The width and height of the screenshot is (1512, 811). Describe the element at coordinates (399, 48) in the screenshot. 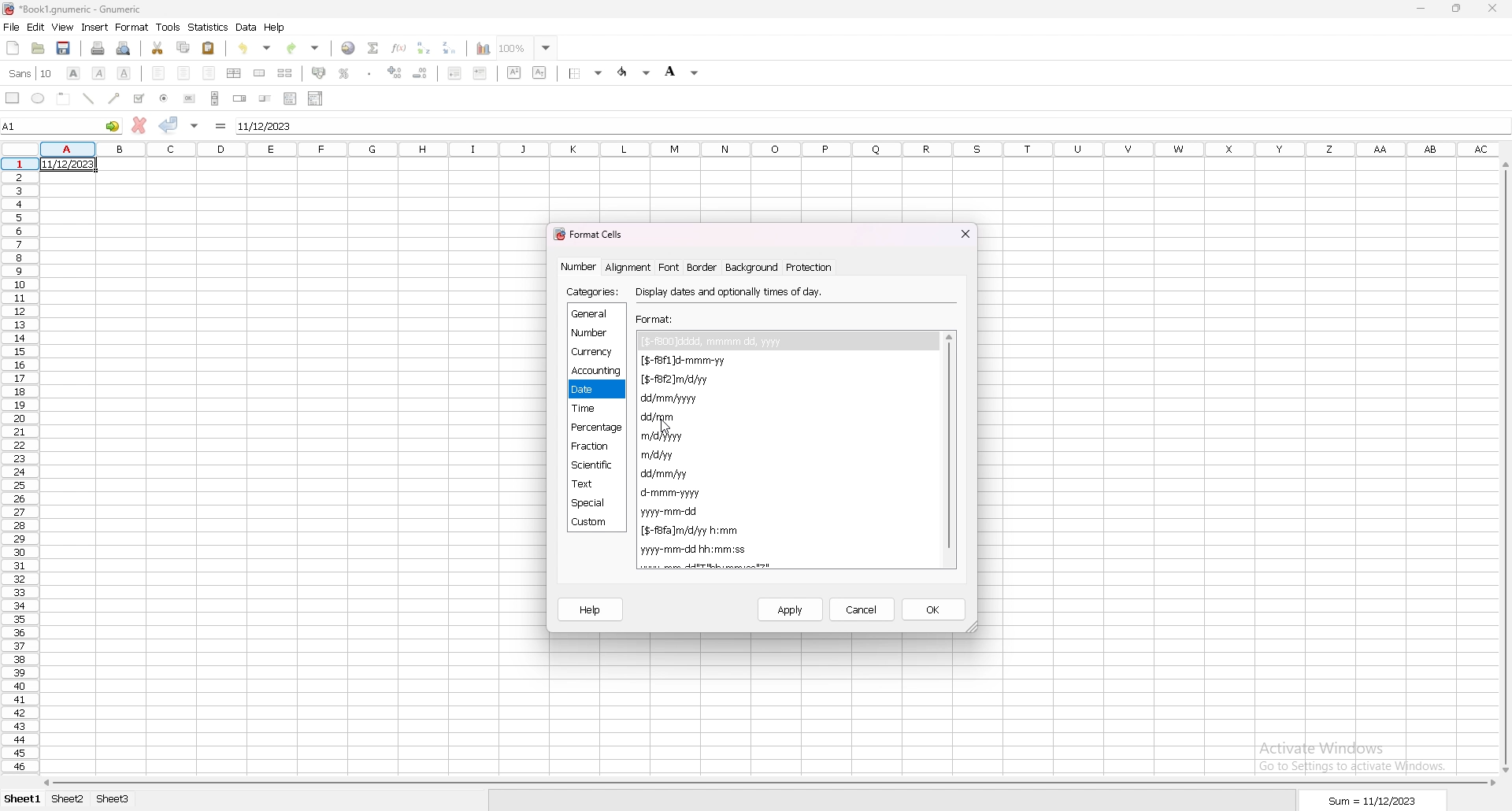

I see `function` at that location.